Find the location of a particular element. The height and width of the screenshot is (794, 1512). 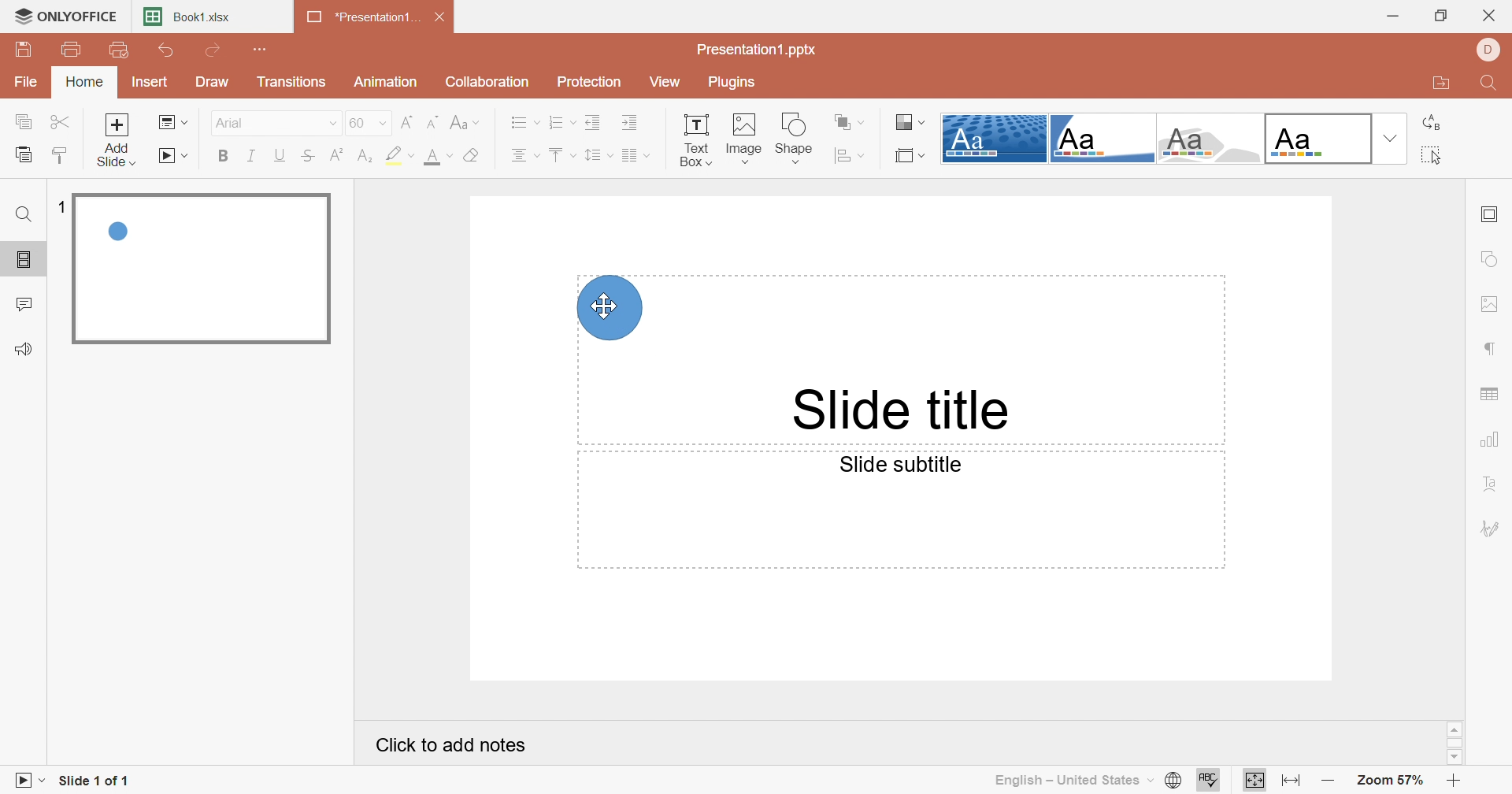

Slide settings is located at coordinates (1488, 216).